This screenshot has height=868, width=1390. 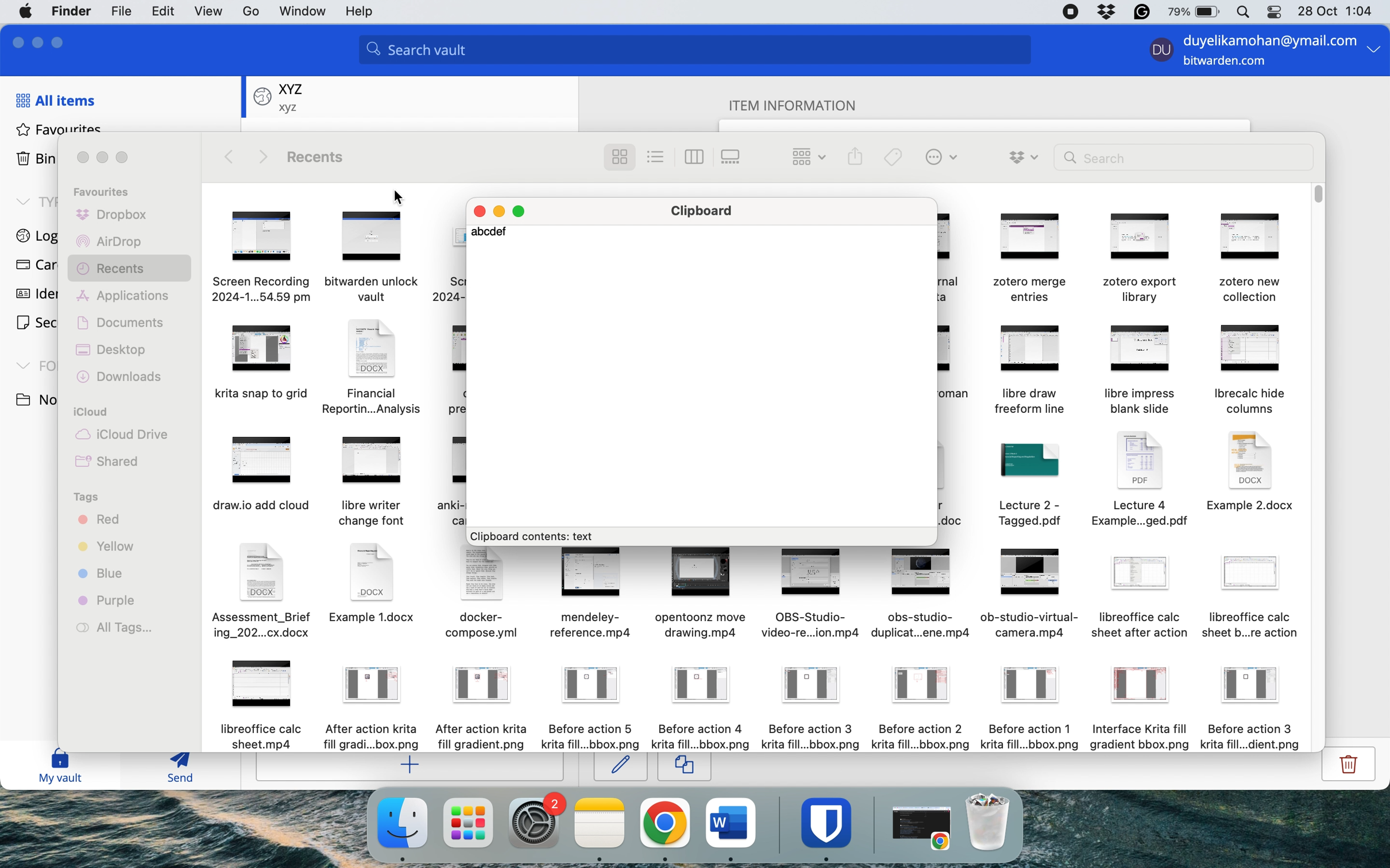 What do you see at coordinates (74, 11) in the screenshot?
I see `finder` at bounding box center [74, 11].